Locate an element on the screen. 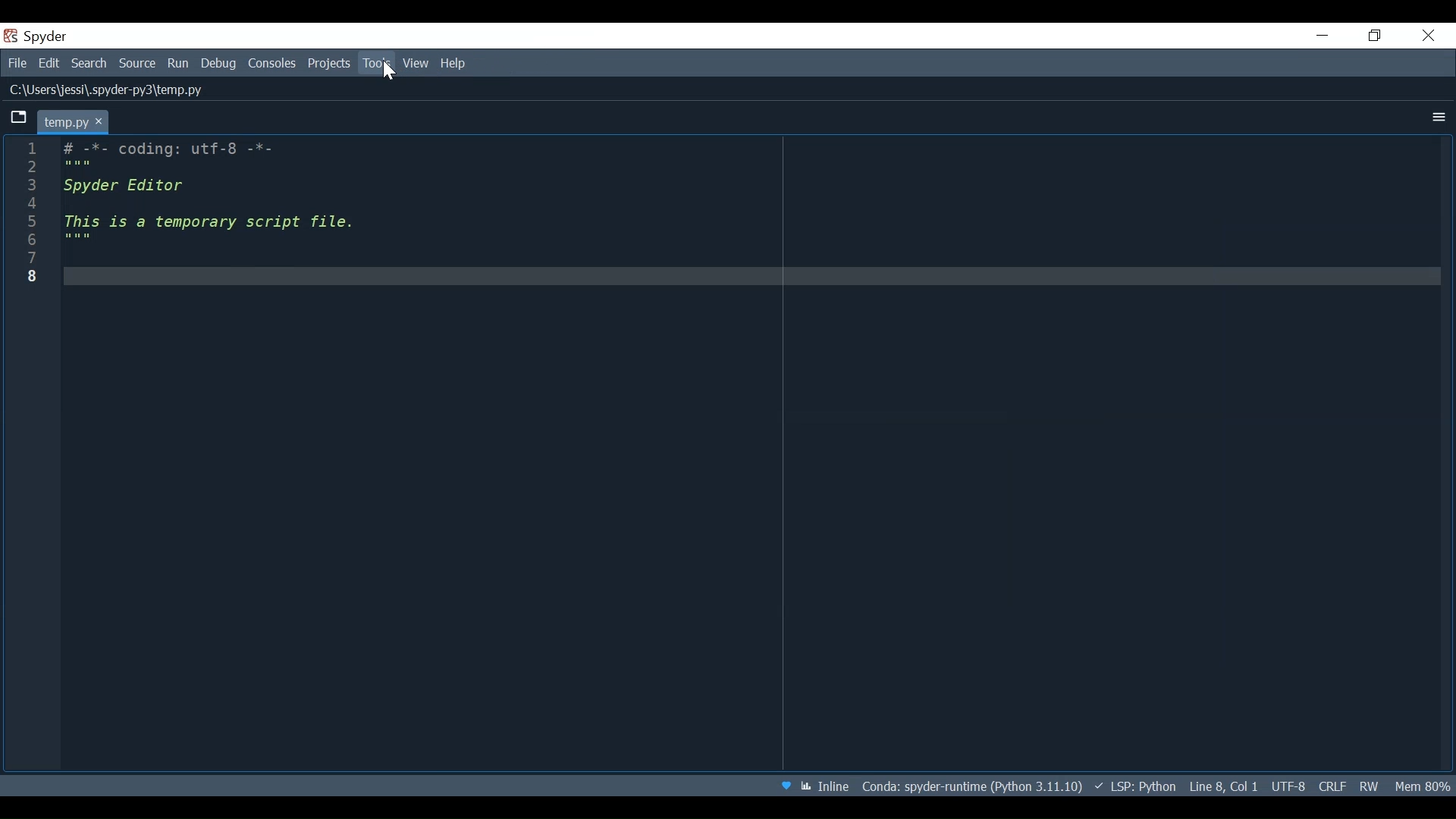 The image size is (1456, 819). Source is located at coordinates (133, 64).